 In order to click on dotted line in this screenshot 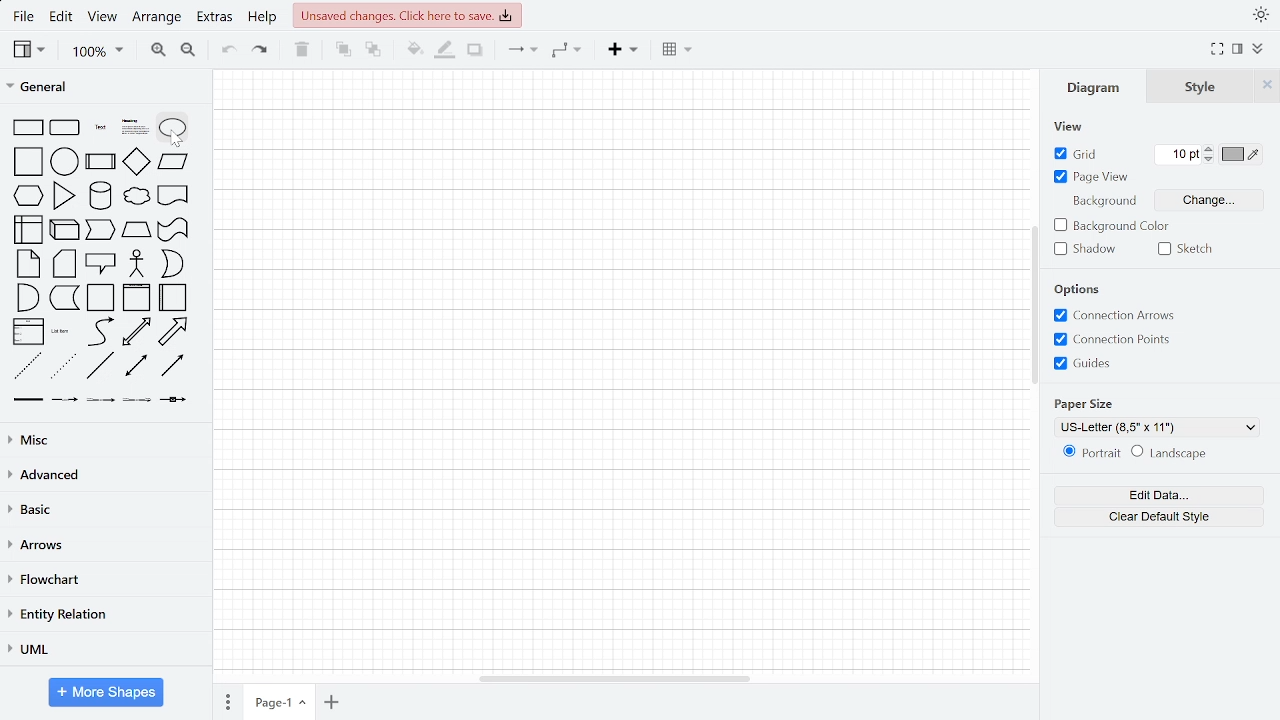, I will do `click(63, 367)`.